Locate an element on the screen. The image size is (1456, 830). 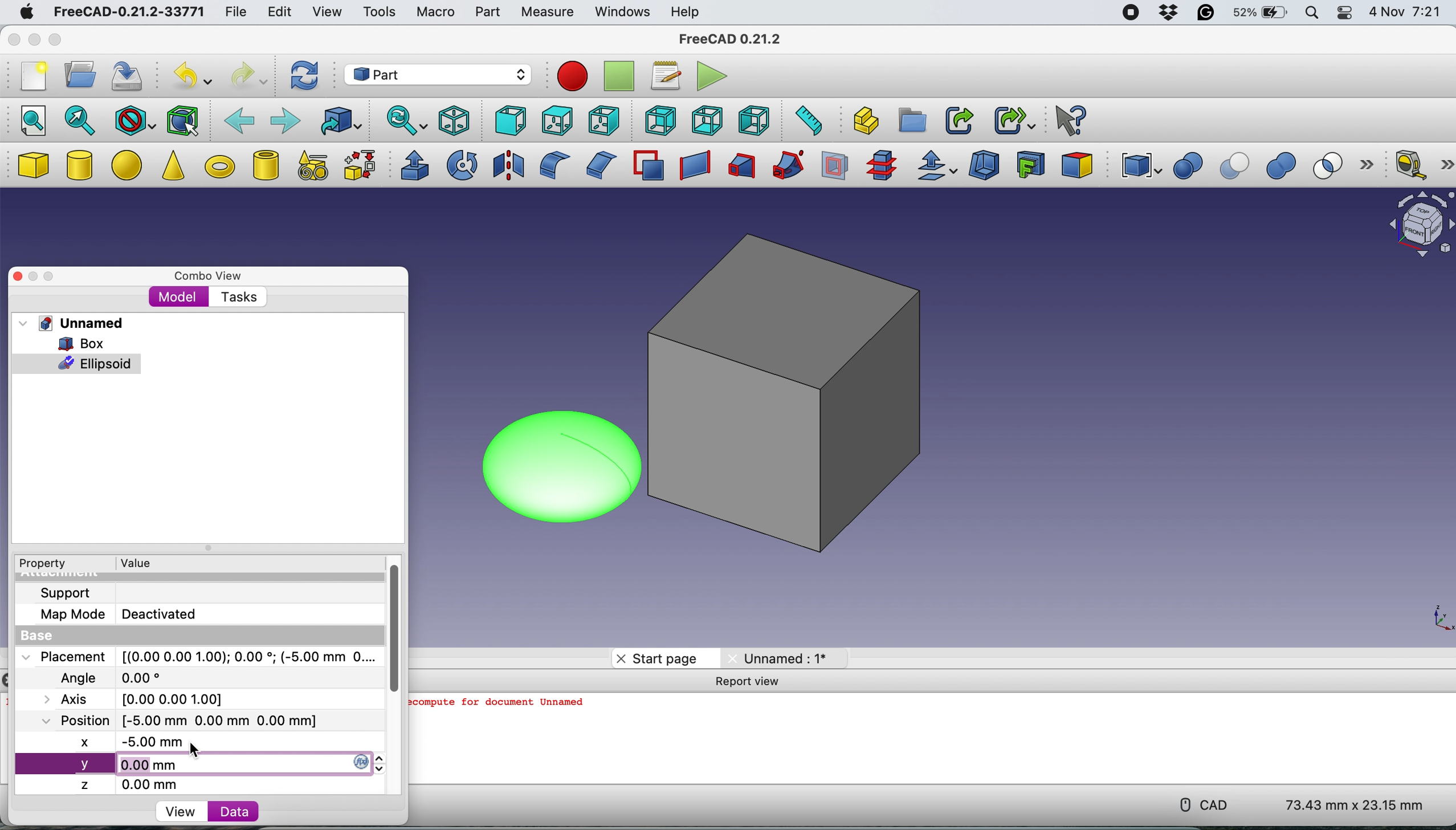
undo is located at coordinates (189, 76).